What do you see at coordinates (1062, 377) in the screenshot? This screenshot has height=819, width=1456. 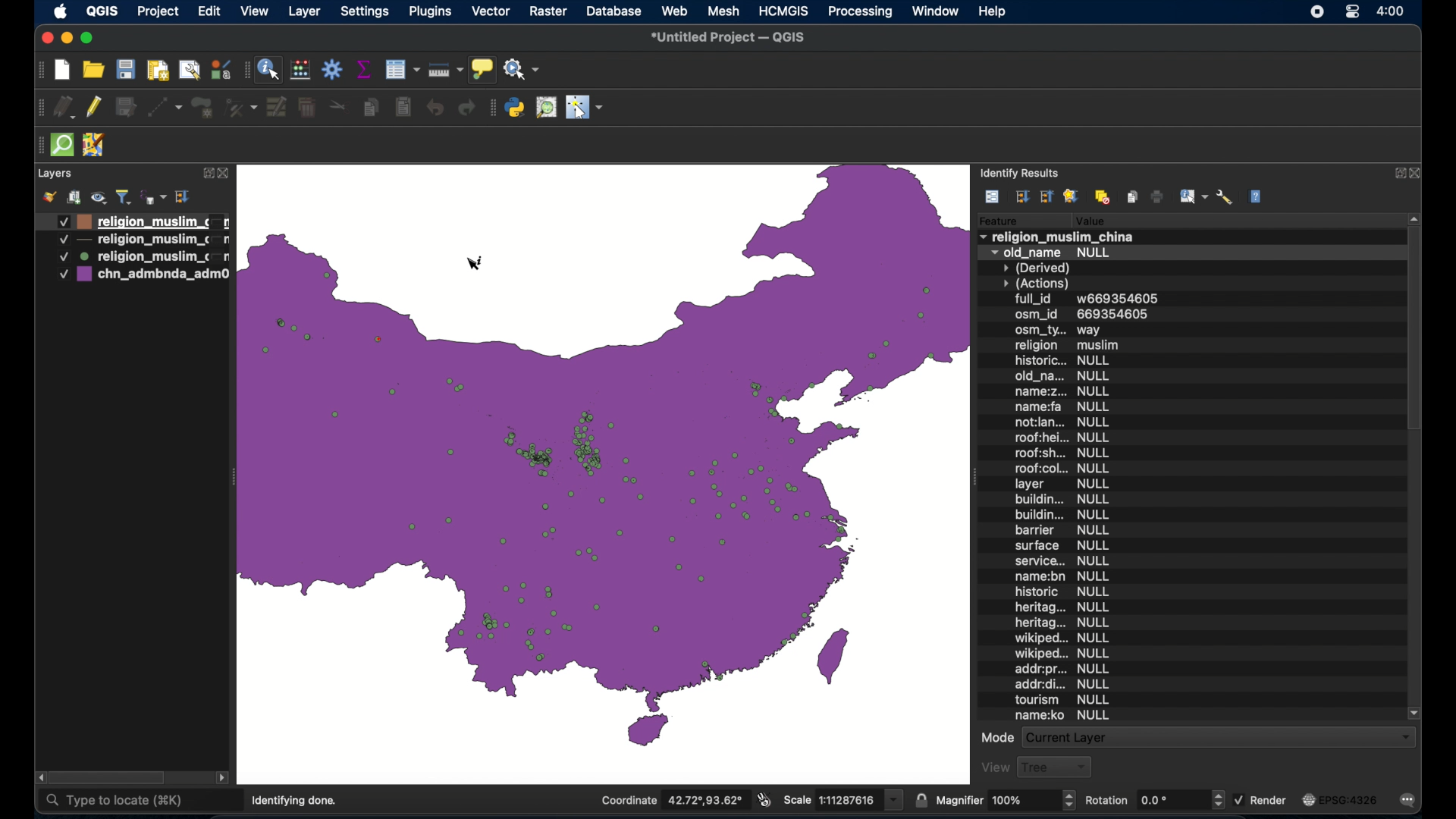 I see `old_` at bounding box center [1062, 377].